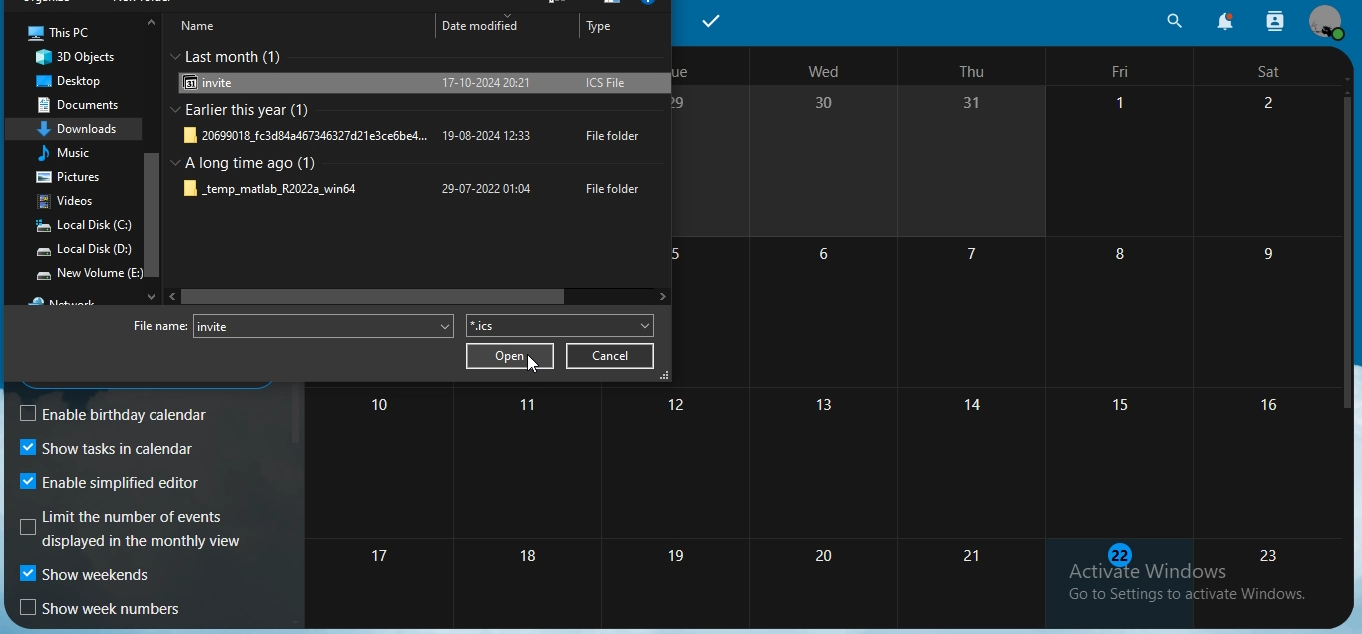 Image resolution: width=1362 pixels, height=634 pixels. I want to click on show weekends, so click(88, 577).